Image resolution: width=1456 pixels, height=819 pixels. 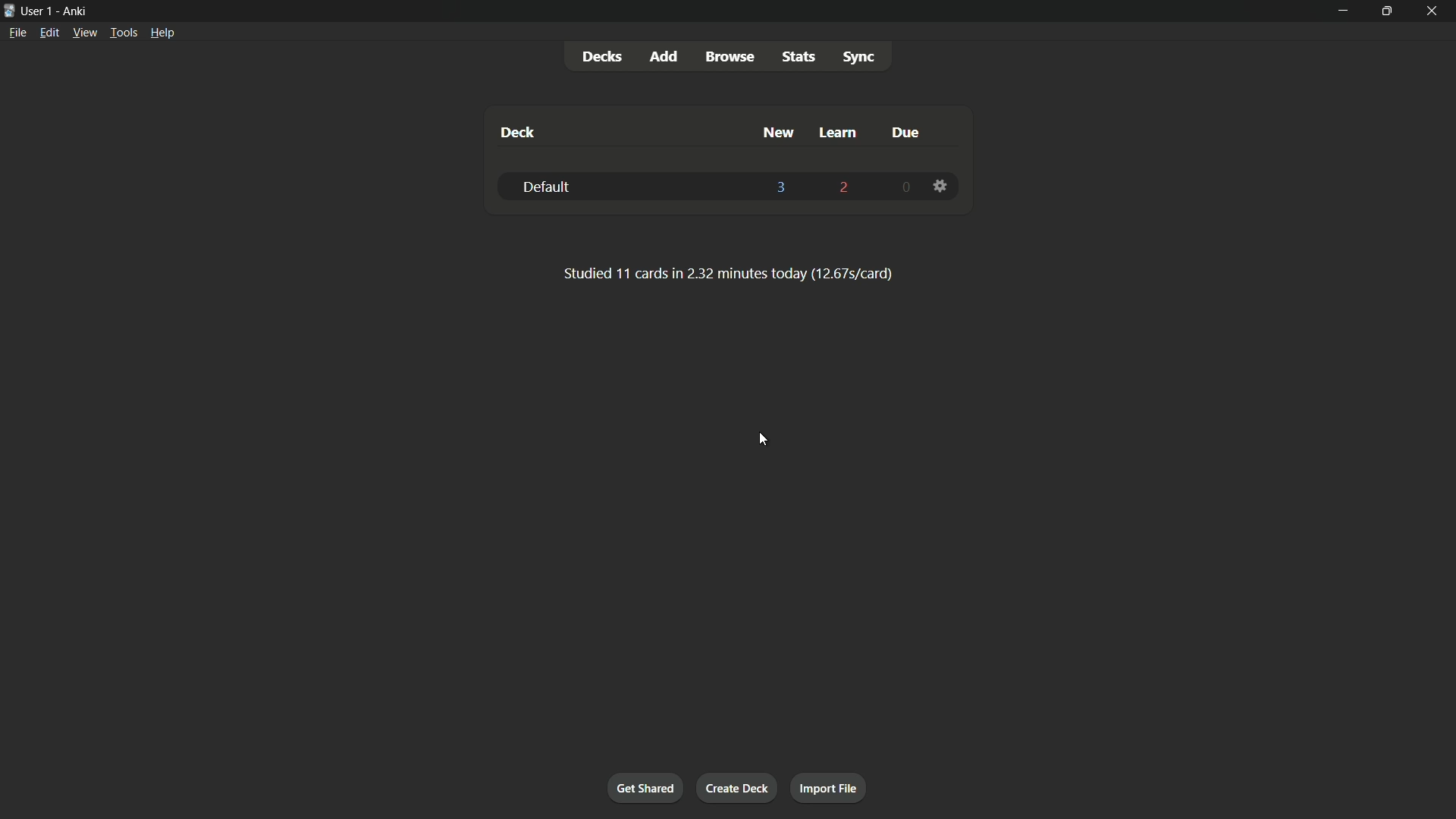 What do you see at coordinates (904, 189) in the screenshot?
I see `0` at bounding box center [904, 189].